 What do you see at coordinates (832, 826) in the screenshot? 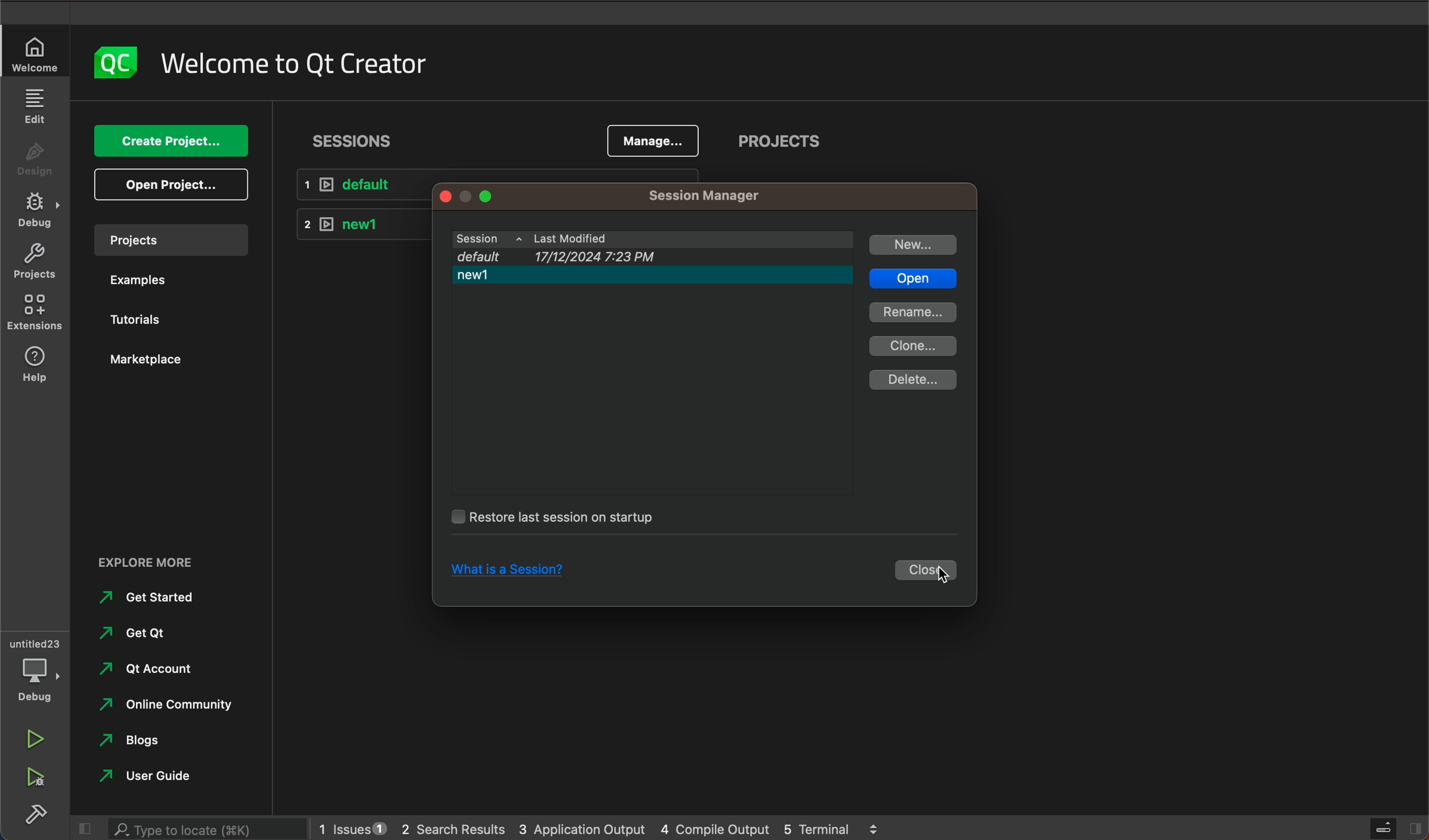
I see `terminal` at bounding box center [832, 826].